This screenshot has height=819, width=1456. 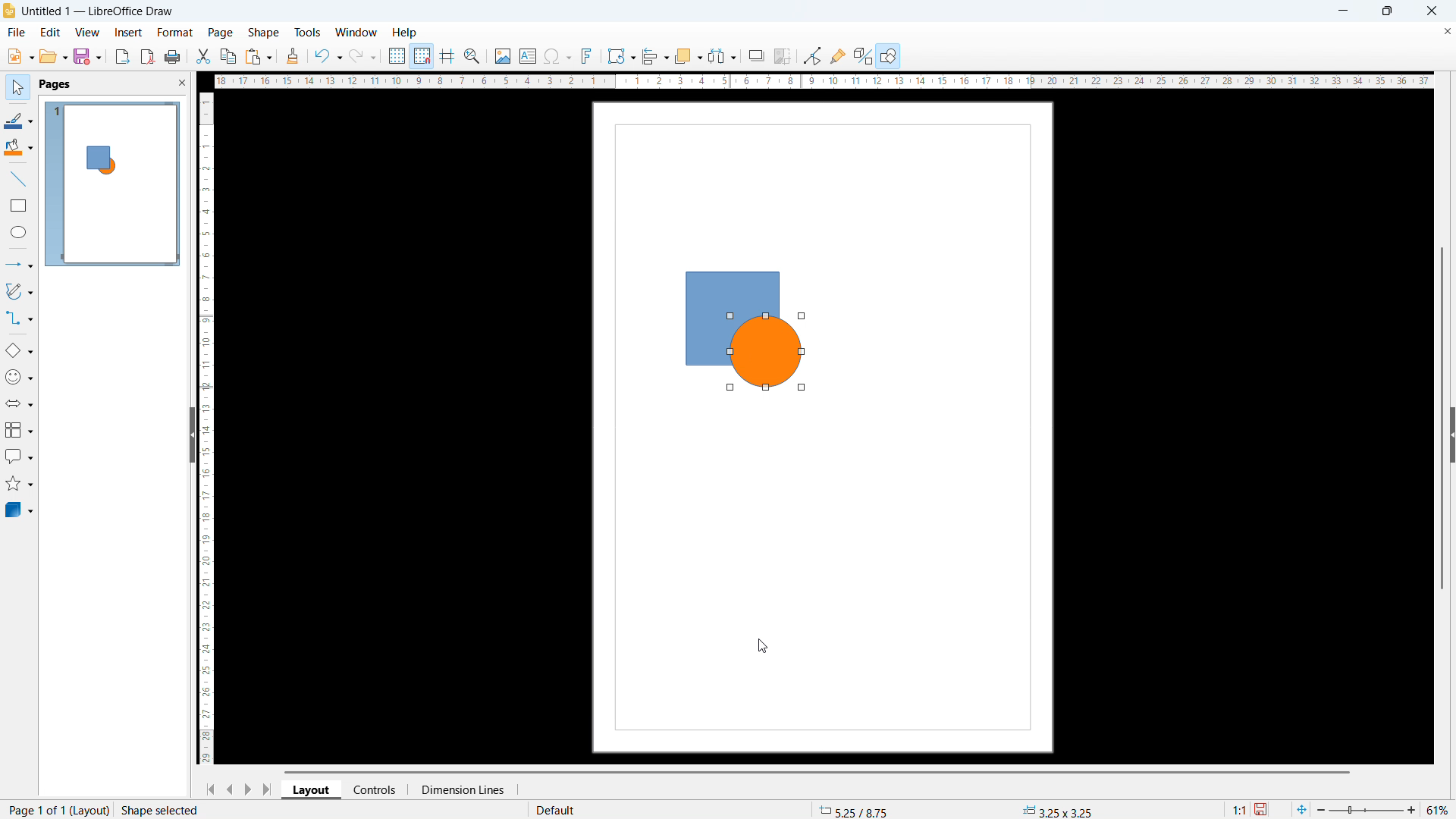 What do you see at coordinates (762, 646) in the screenshot?
I see `cursor` at bounding box center [762, 646].